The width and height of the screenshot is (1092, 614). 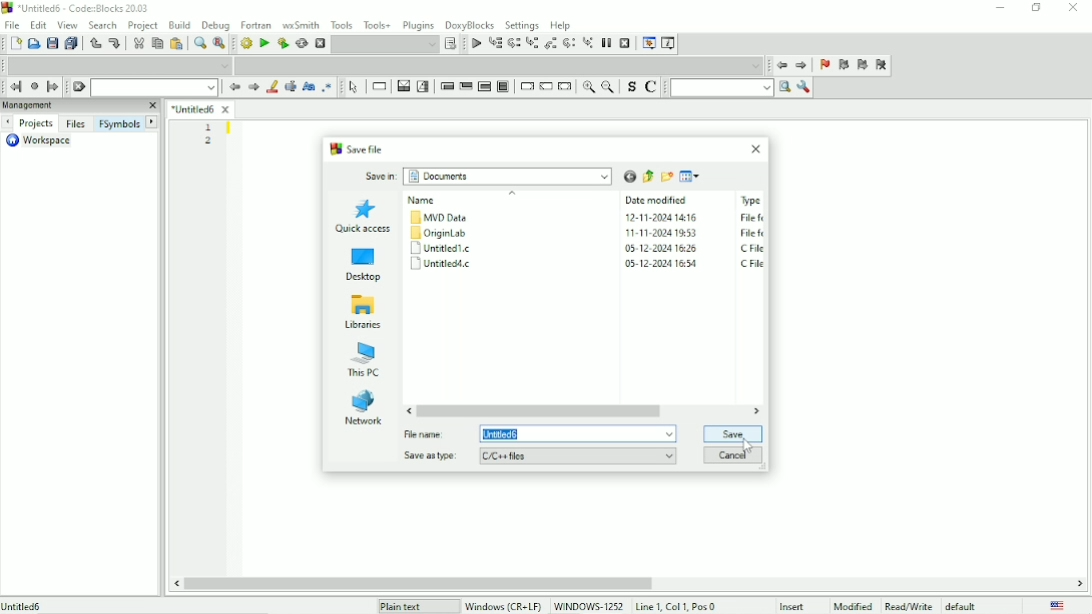 What do you see at coordinates (156, 43) in the screenshot?
I see `Copy` at bounding box center [156, 43].